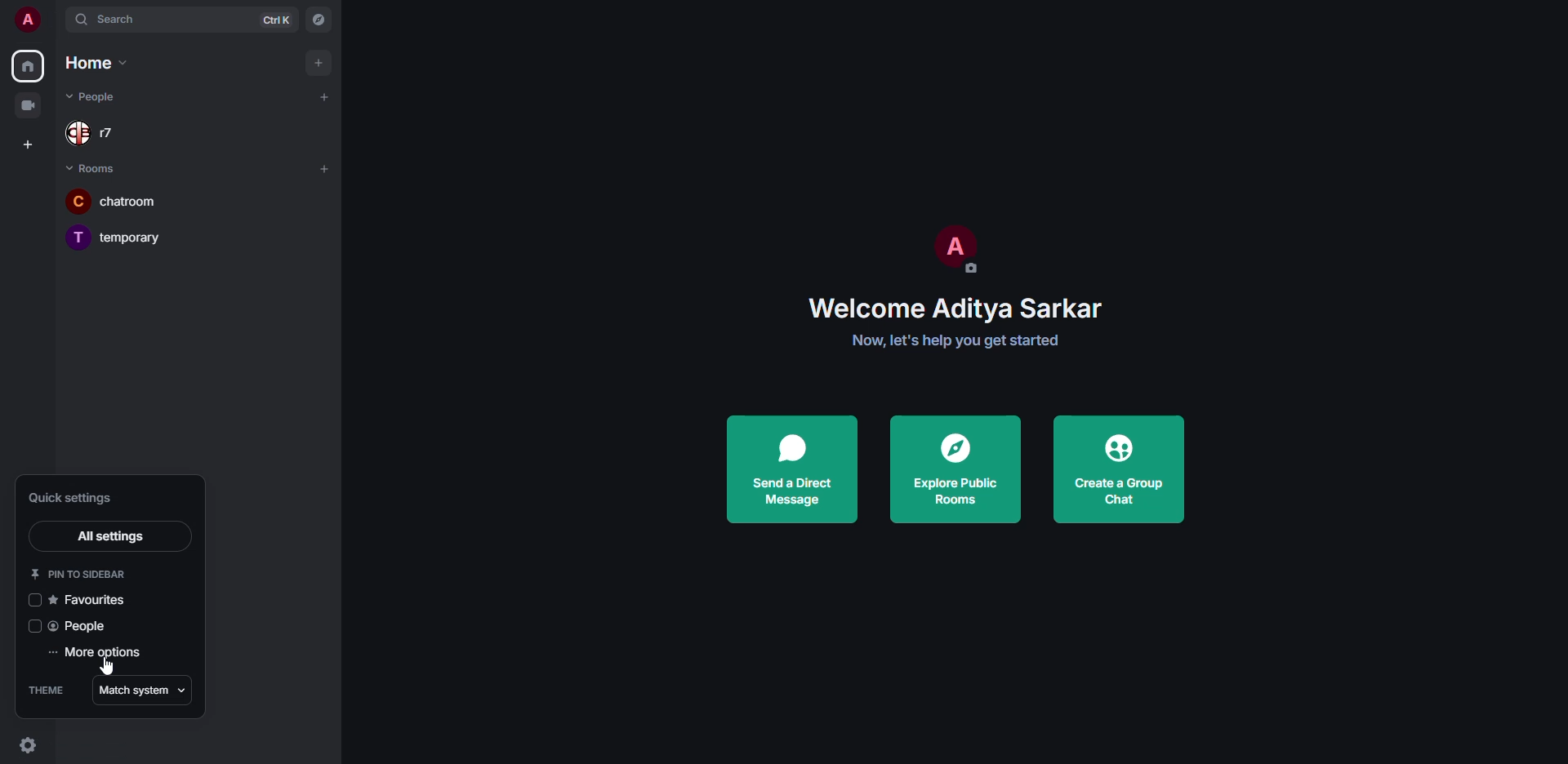  Describe the element at coordinates (105, 133) in the screenshot. I see `people` at that location.